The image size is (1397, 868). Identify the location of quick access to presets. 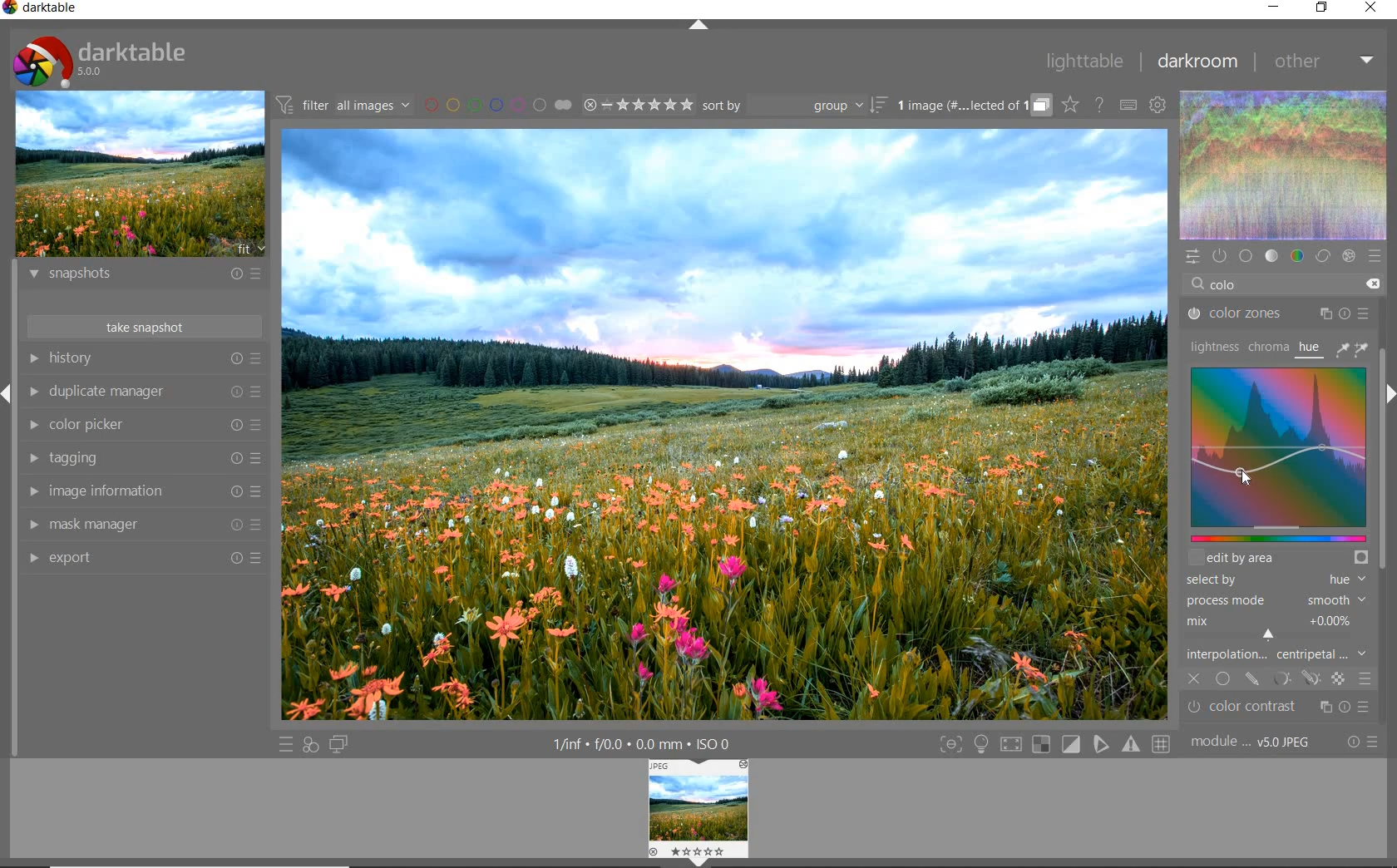
(287, 745).